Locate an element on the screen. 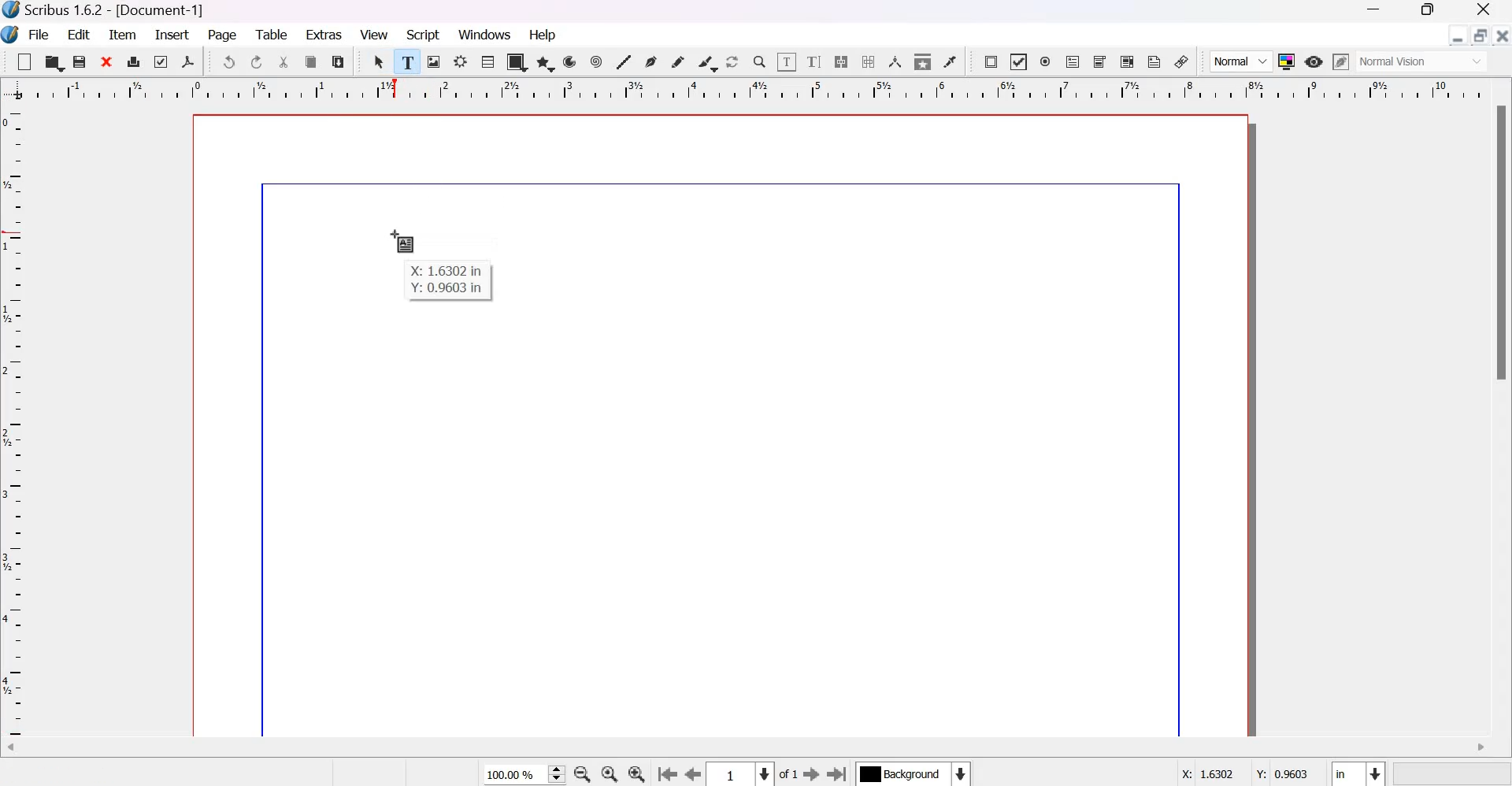 The image size is (1512, 786). maximize is located at coordinates (1480, 35).